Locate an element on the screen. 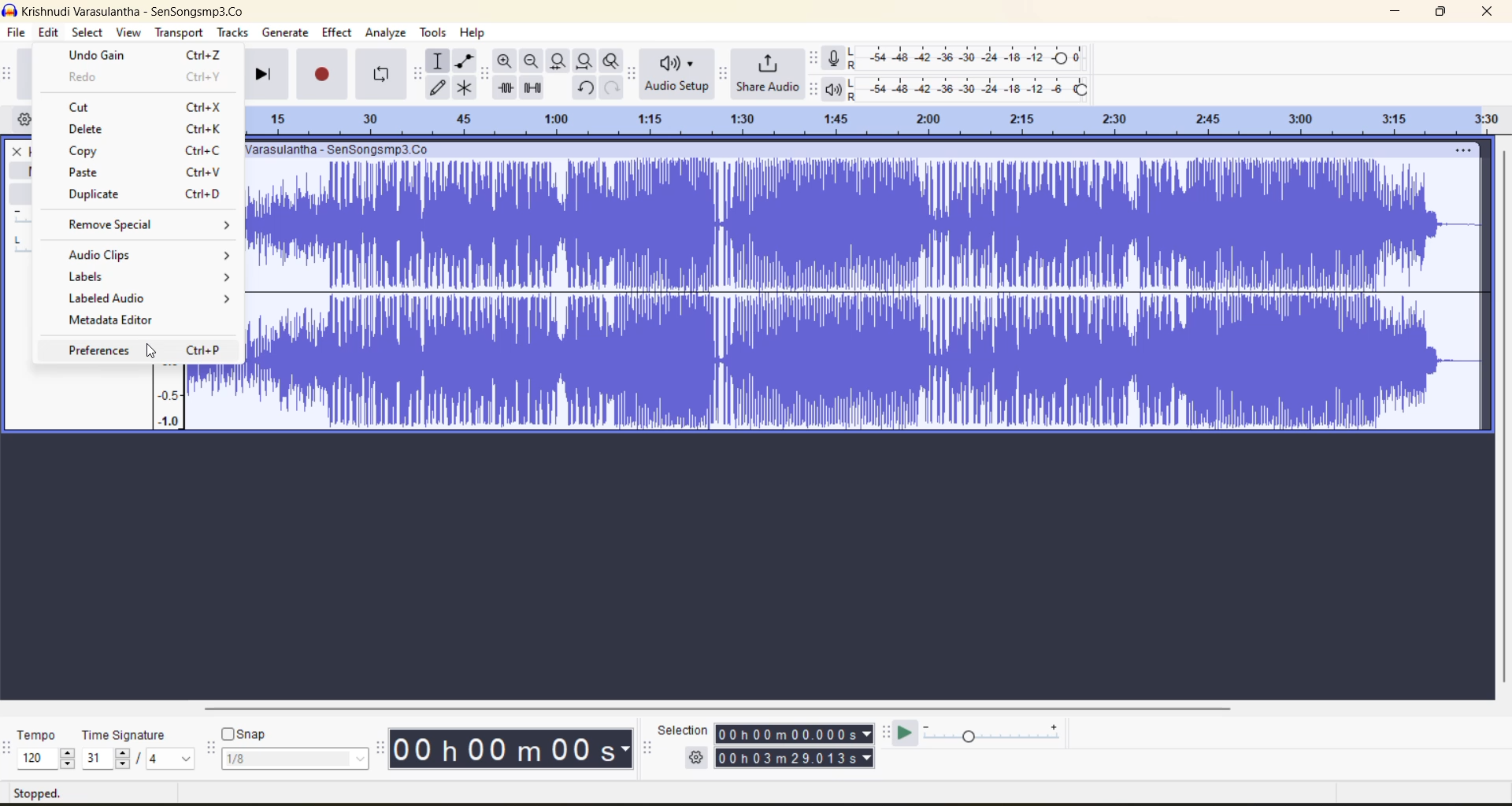 The image size is (1512, 806). transport is located at coordinates (177, 31).